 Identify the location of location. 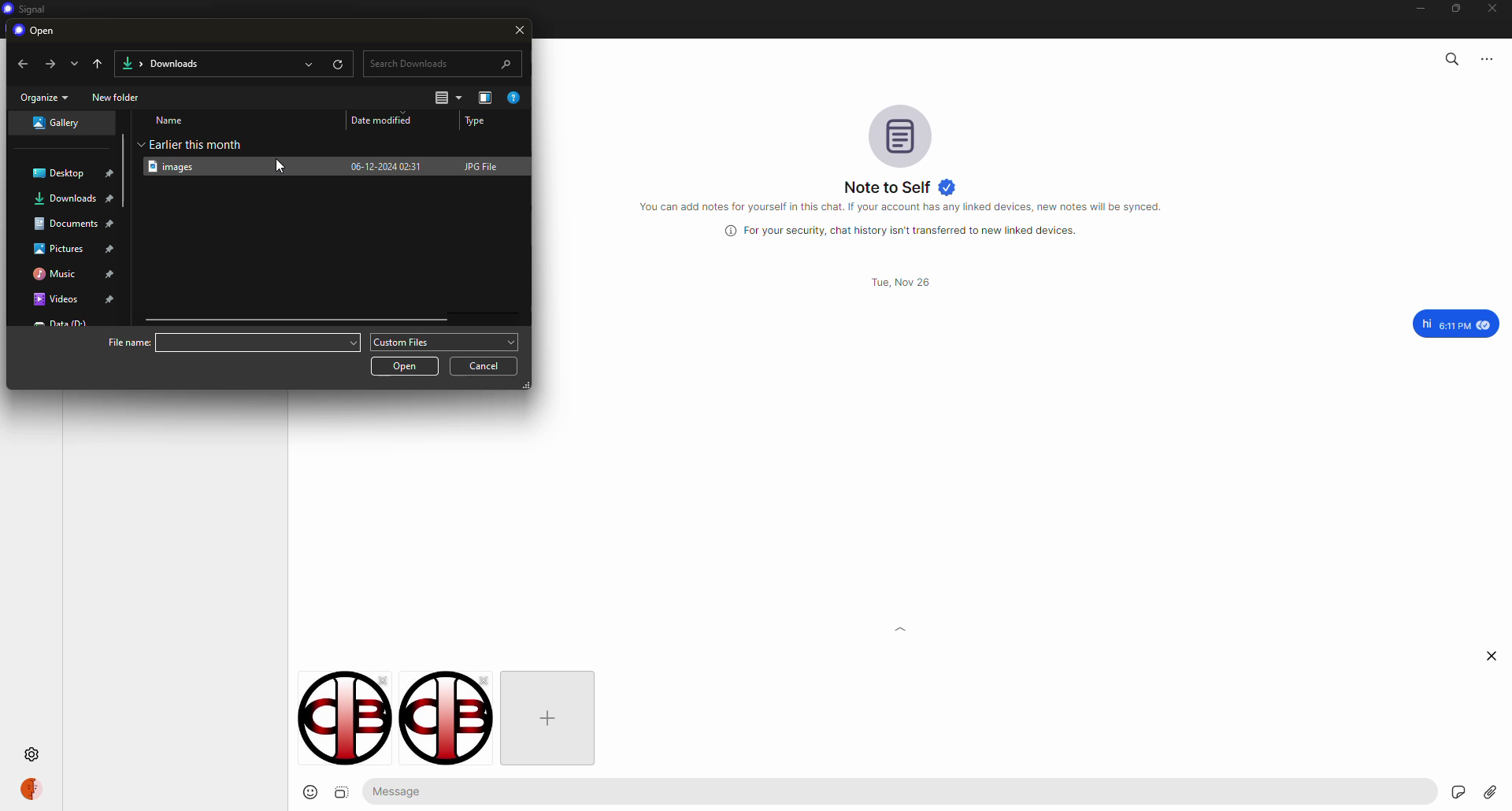
(54, 301).